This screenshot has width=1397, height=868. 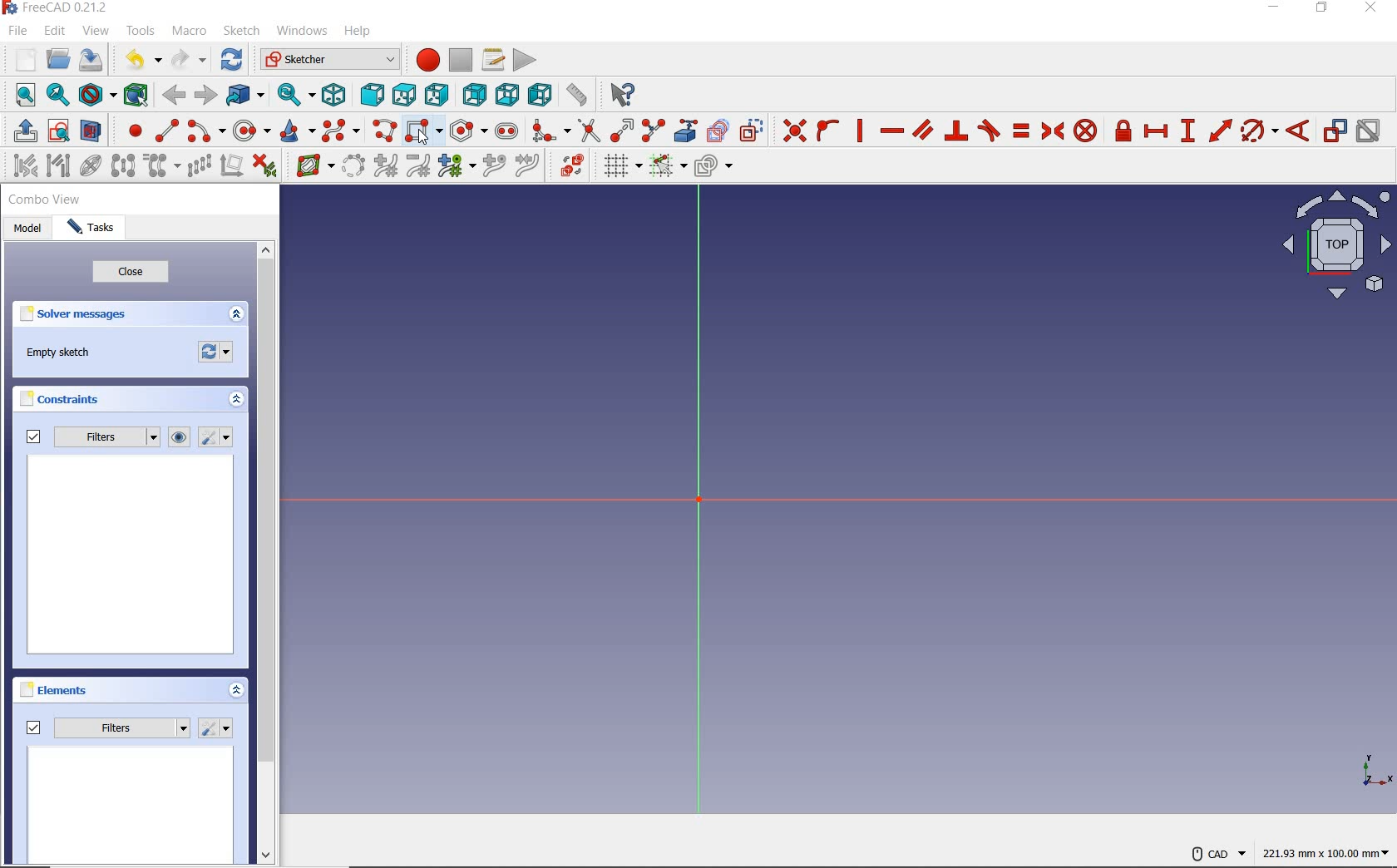 What do you see at coordinates (827, 130) in the screenshot?
I see `constrain point onto object` at bounding box center [827, 130].